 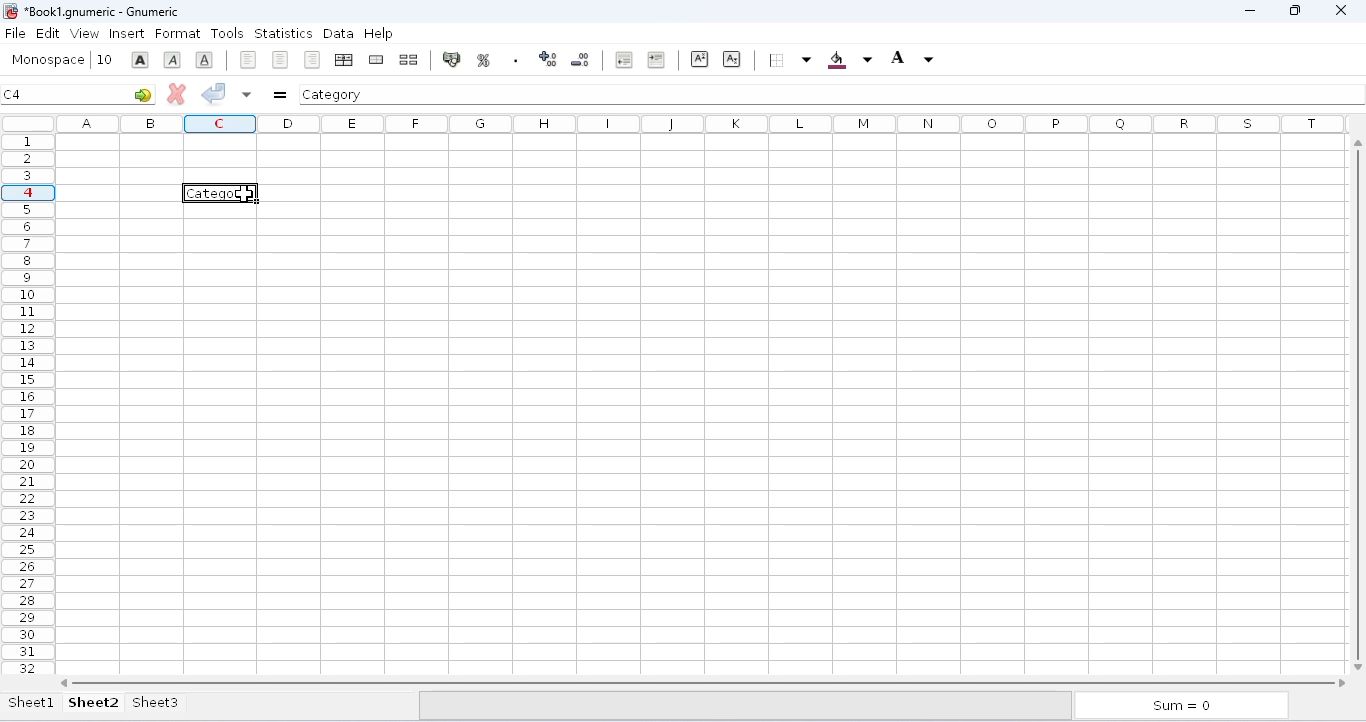 I want to click on set the format of the selected cells to include a thousands separator, so click(x=515, y=60).